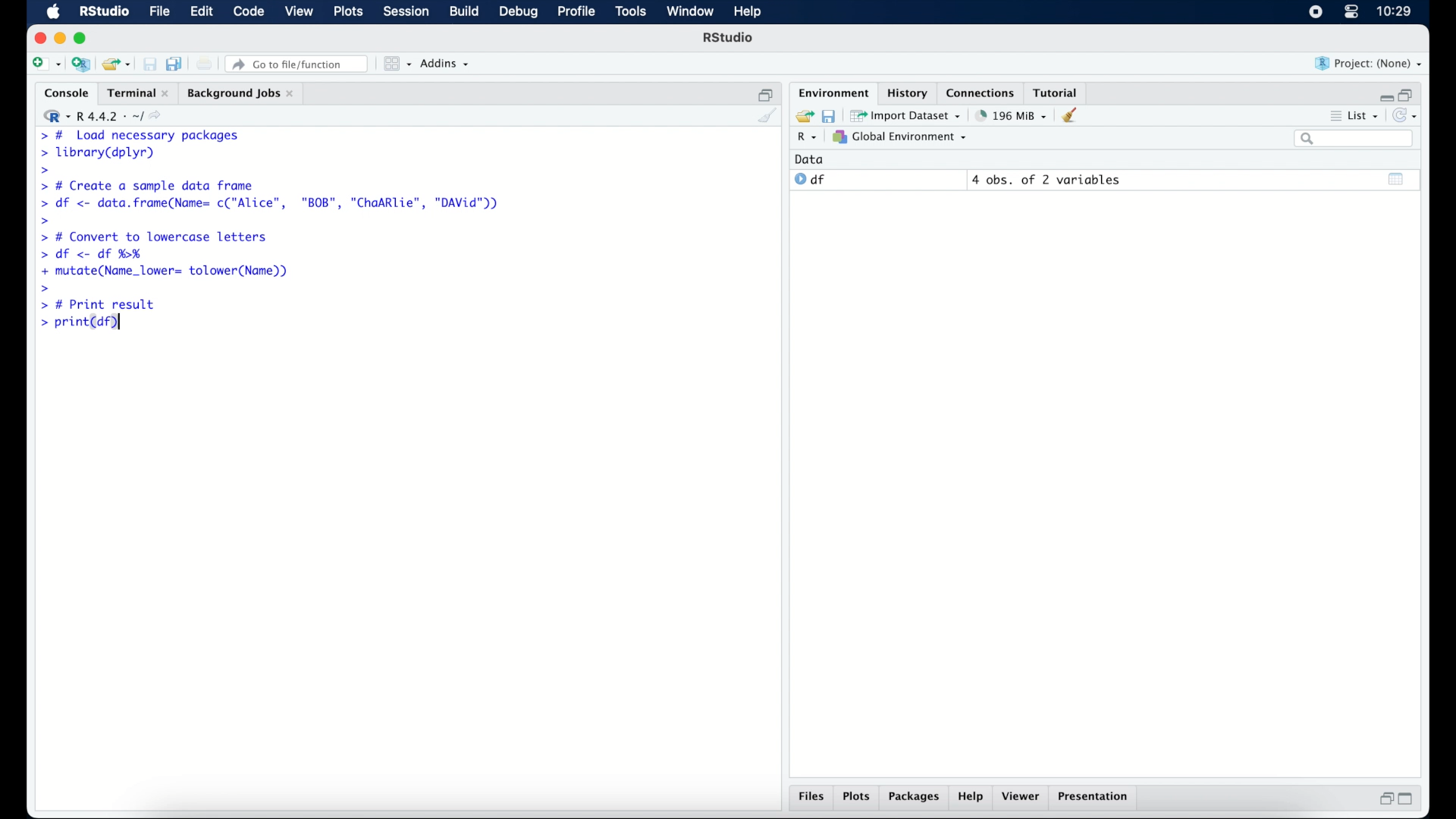 This screenshot has width=1456, height=819. Describe the element at coordinates (45, 65) in the screenshot. I see `create new file` at that location.